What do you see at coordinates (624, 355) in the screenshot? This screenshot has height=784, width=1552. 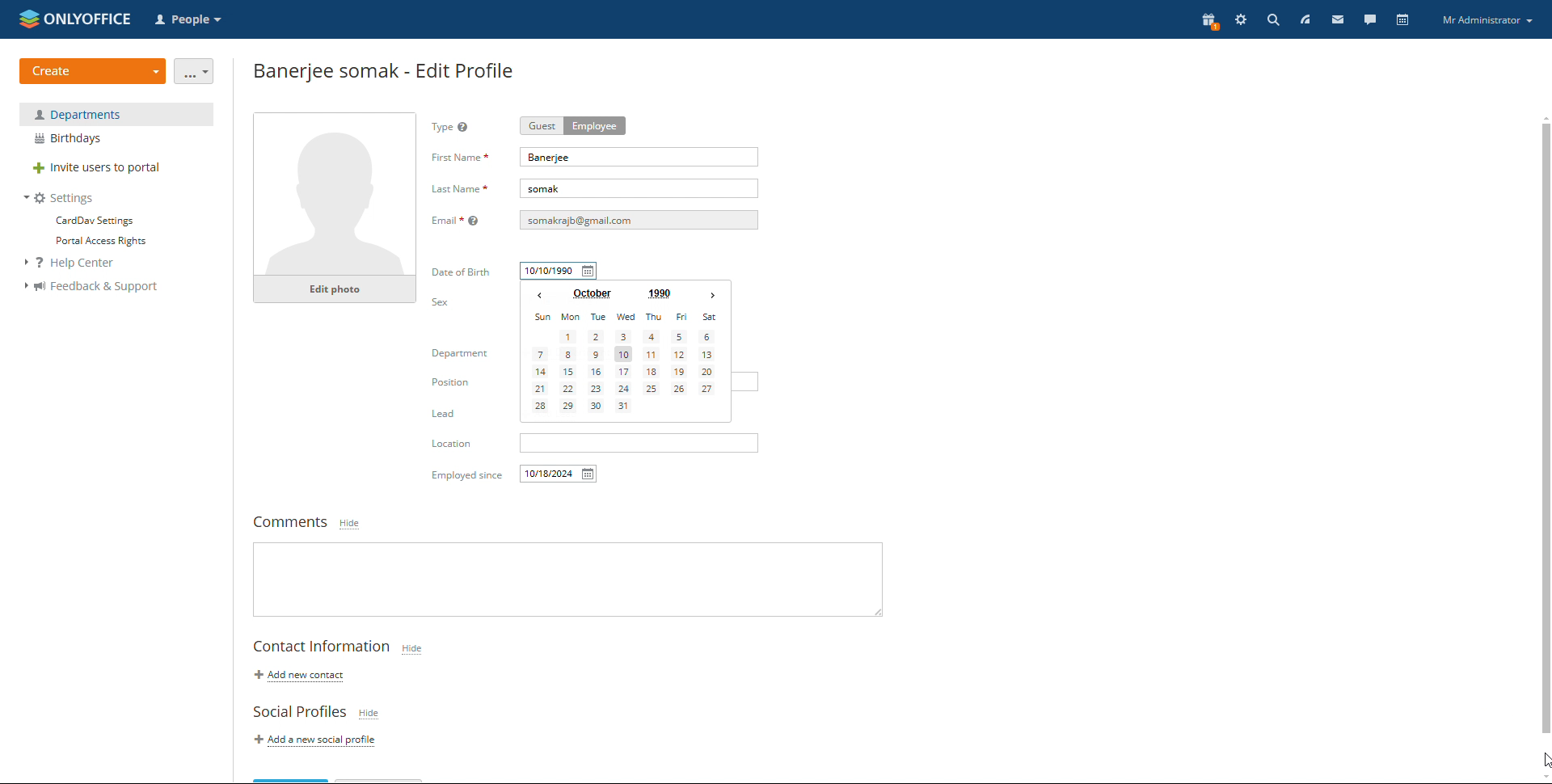 I see `date selected` at bounding box center [624, 355].